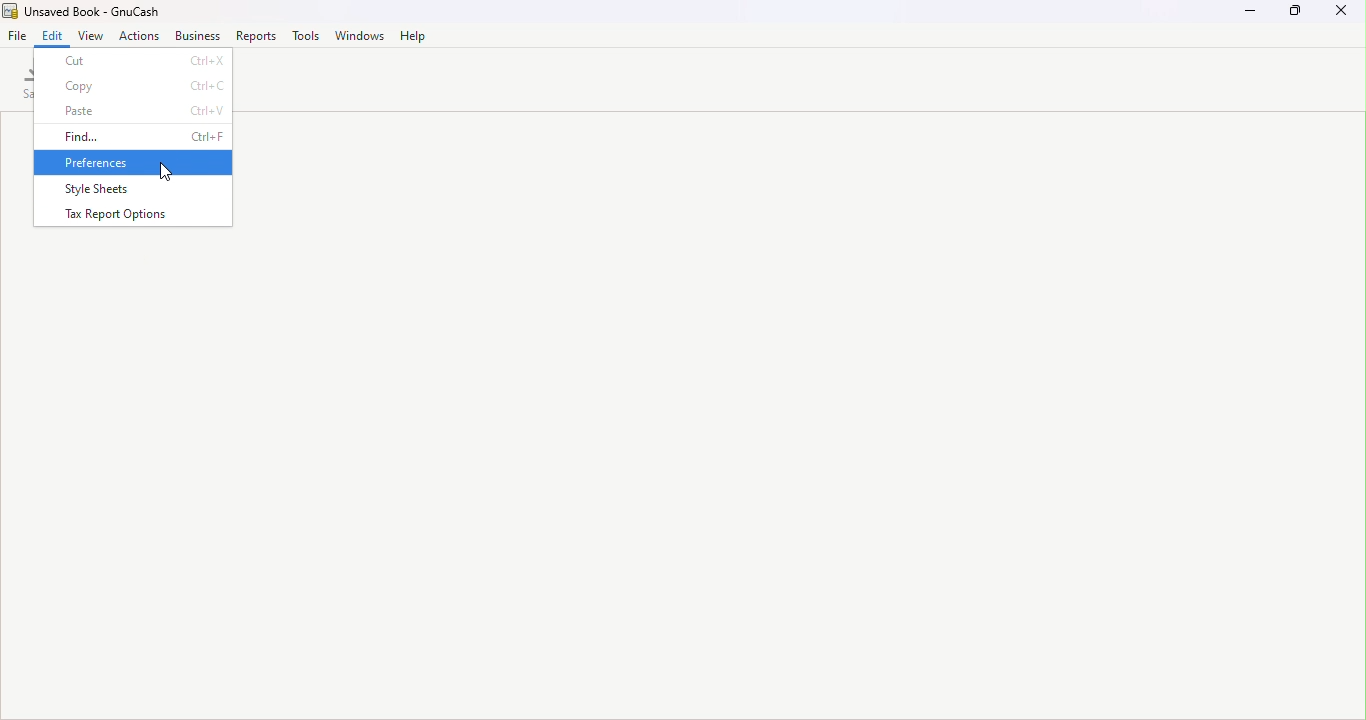  Describe the element at coordinates (360, 36) in the screenshot. I see `Window` at that location.